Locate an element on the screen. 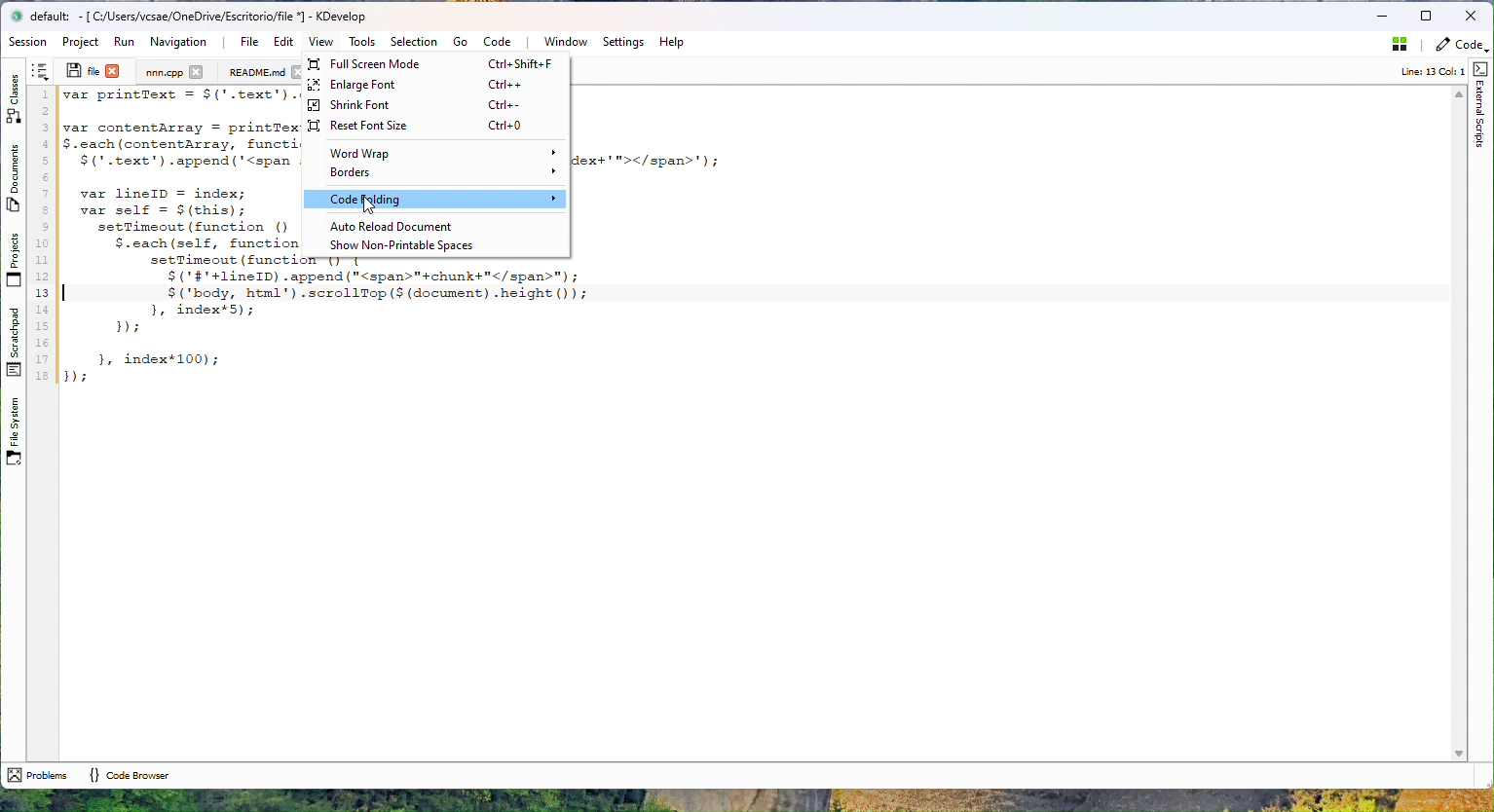 The width and height of the screenshot is (1494, 812).  is located at coordinates (460, 42).